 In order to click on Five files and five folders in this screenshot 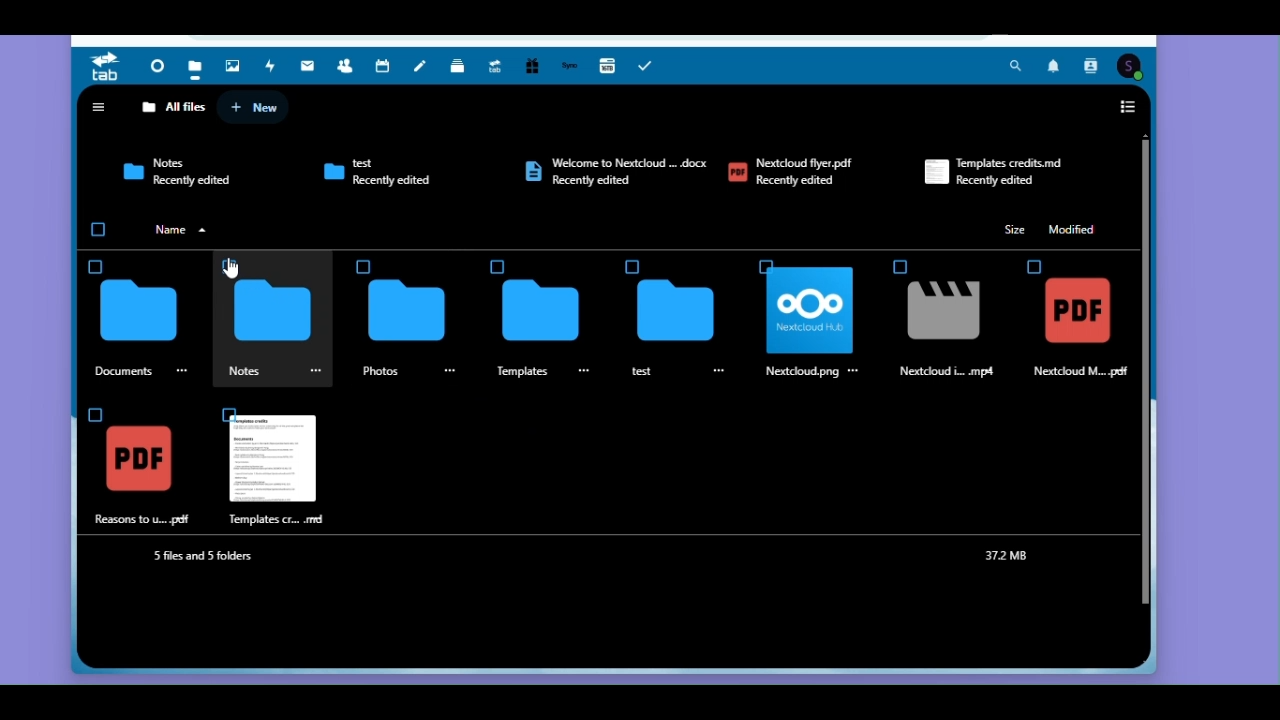, I will do `click(219, 558)`.